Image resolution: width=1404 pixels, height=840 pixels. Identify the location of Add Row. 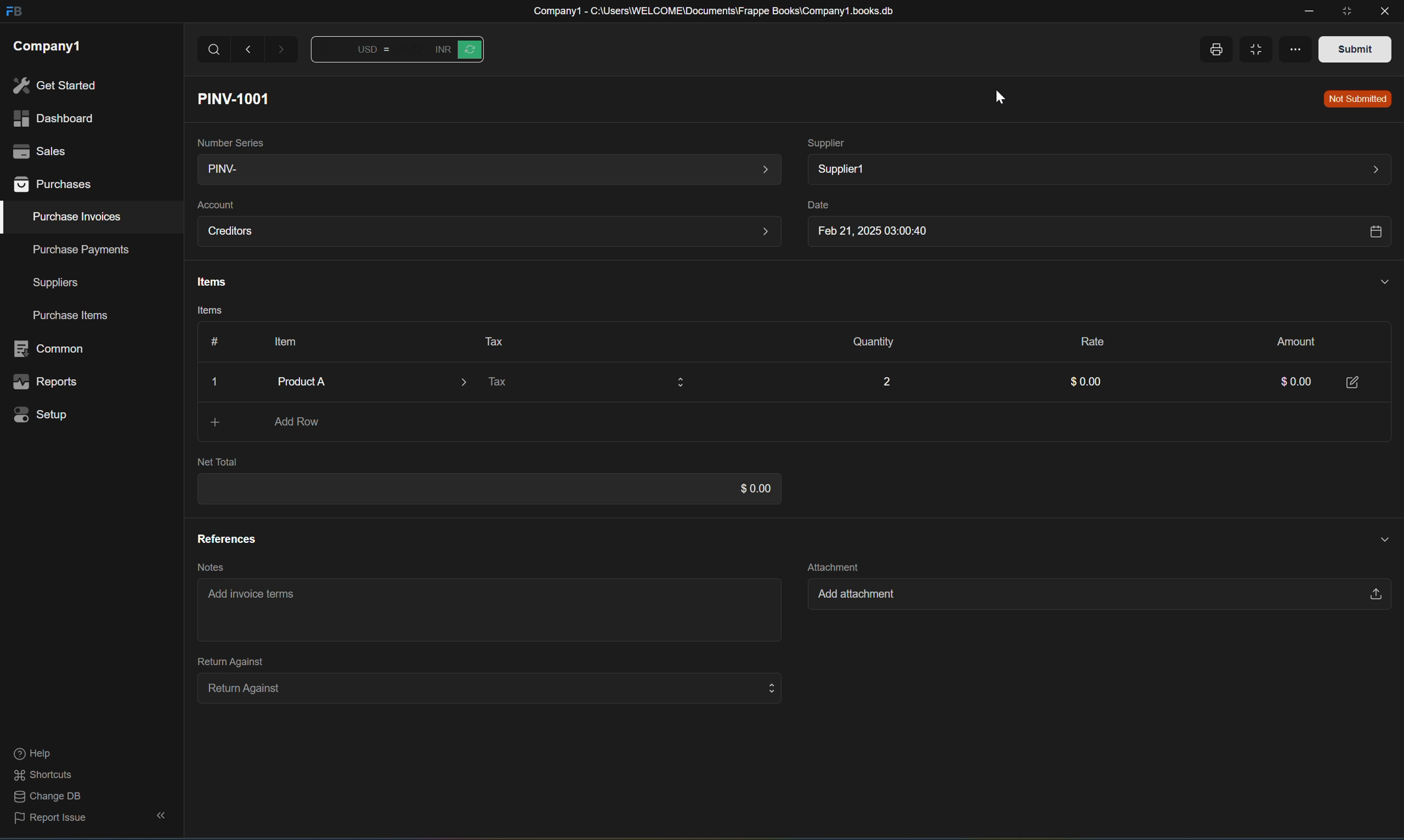
(299, 423).